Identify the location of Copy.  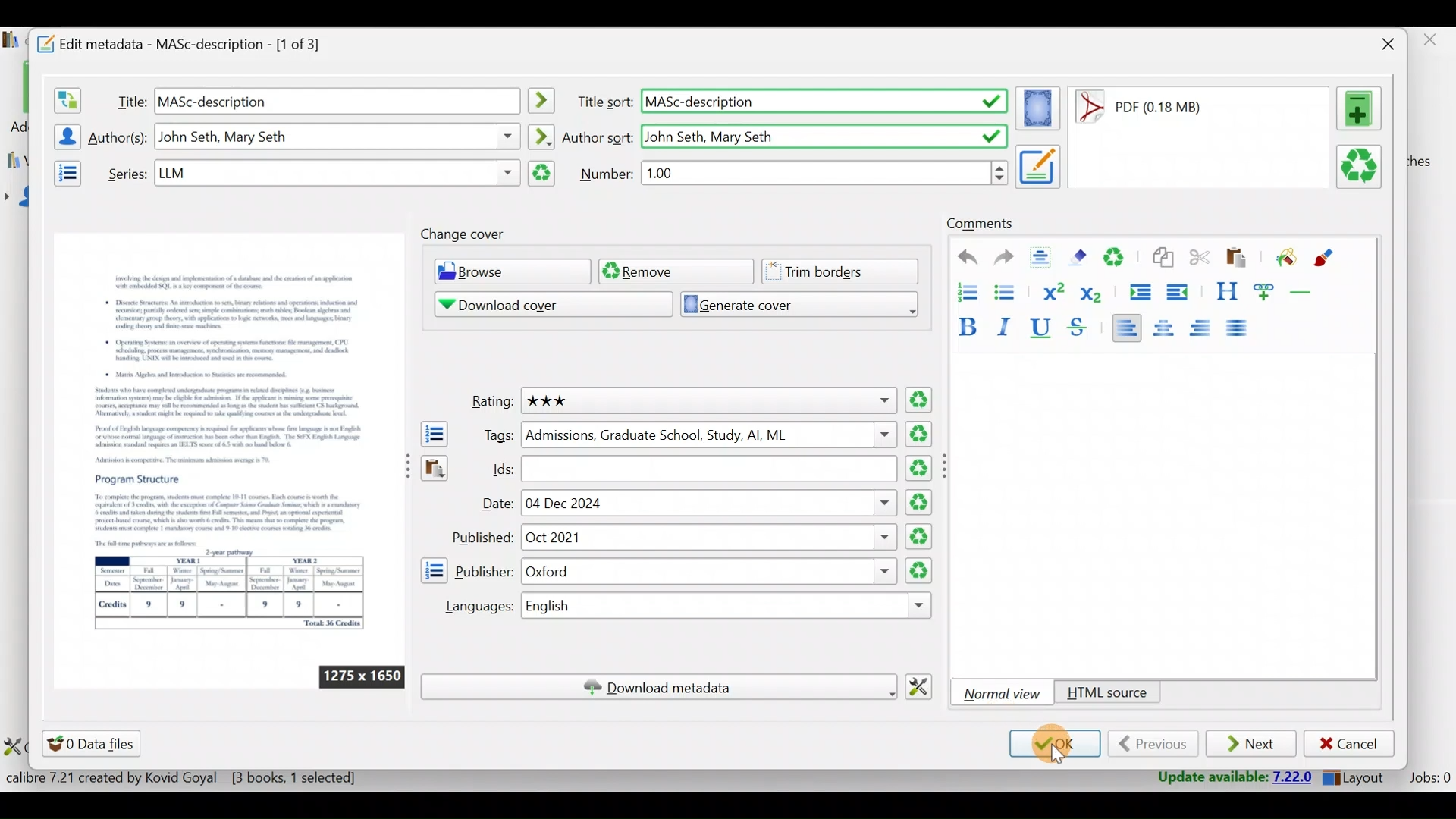
(1162, 259).